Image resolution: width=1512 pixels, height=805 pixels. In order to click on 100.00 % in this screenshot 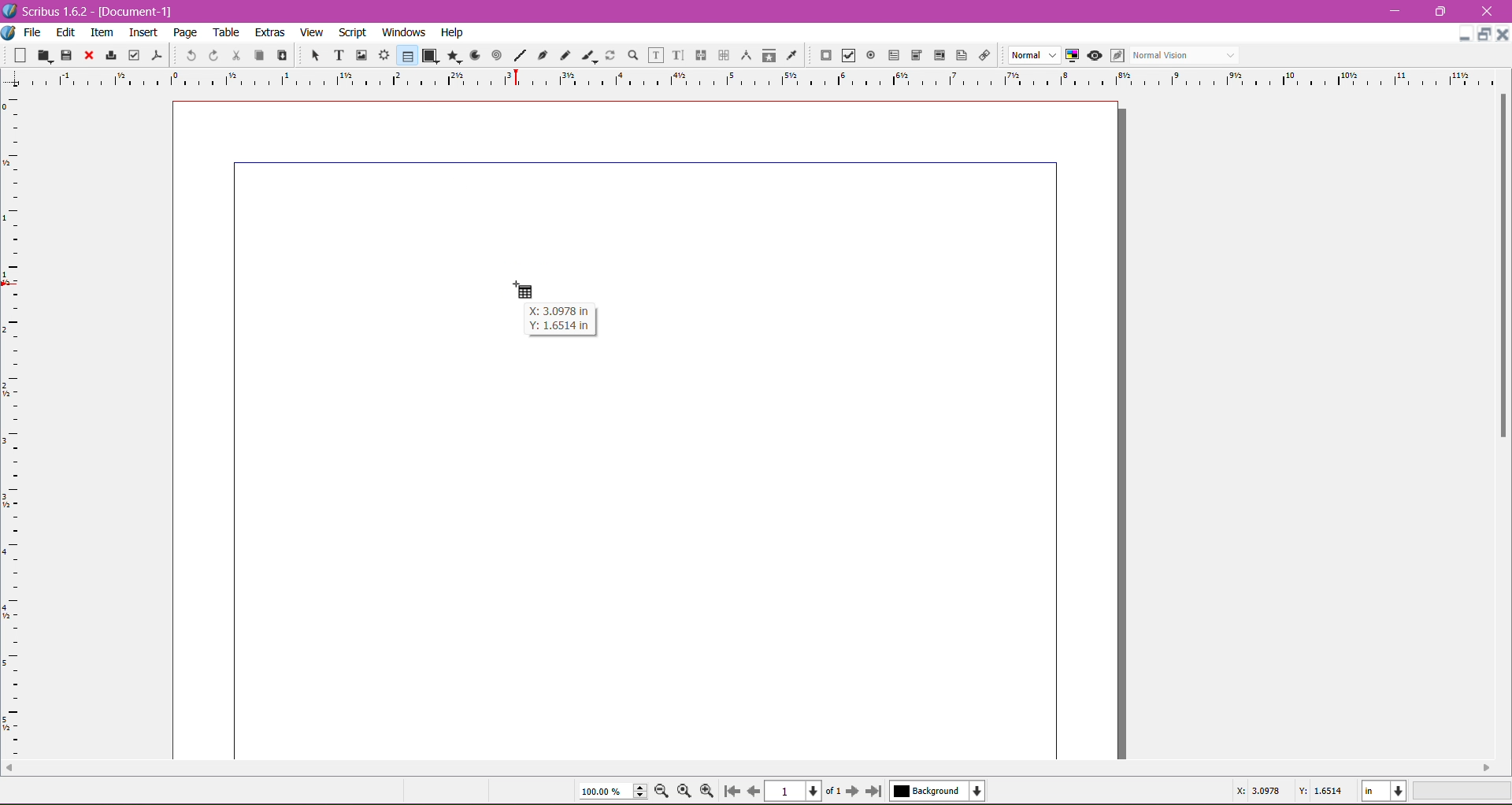, I will do `click(613, 792)`.